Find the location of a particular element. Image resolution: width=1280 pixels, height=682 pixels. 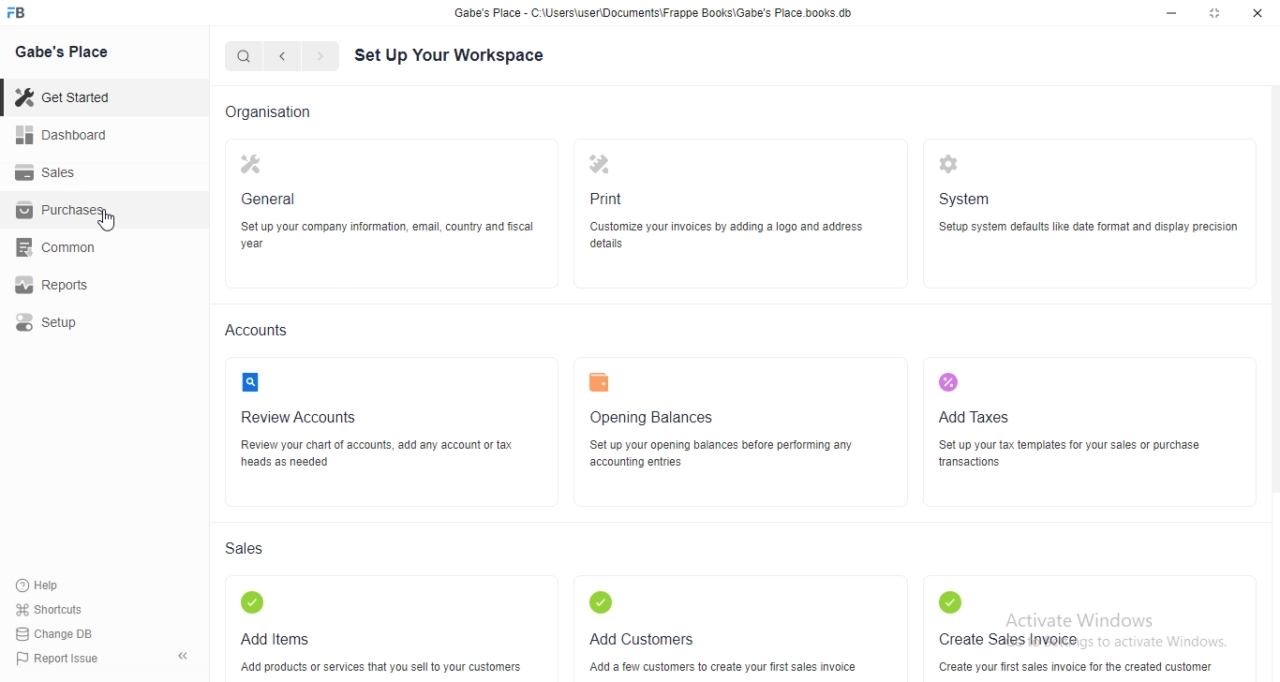

Get Started is located at coordinates (104, 97).